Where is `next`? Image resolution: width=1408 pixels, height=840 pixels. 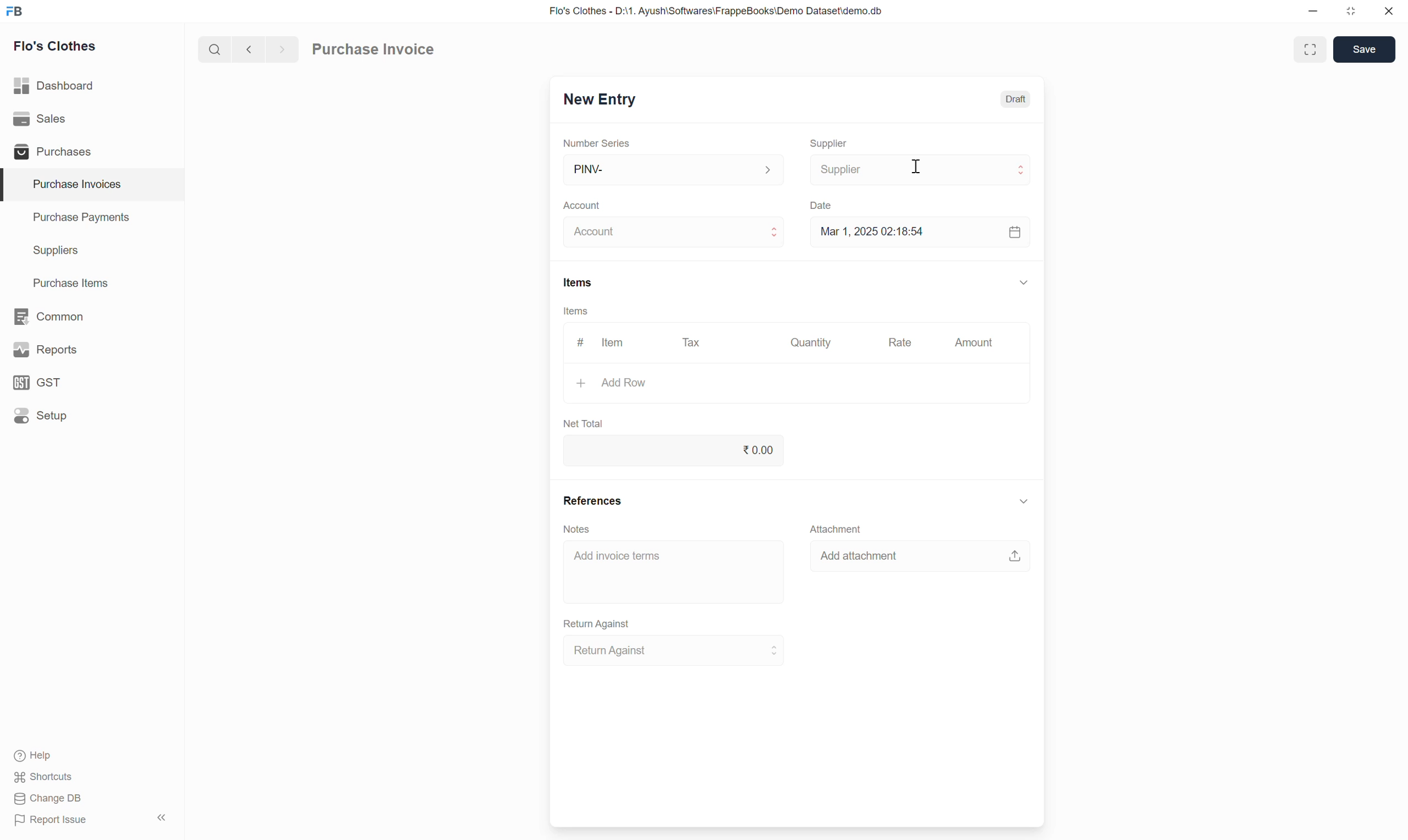
next is located at coordinates (284, 49).